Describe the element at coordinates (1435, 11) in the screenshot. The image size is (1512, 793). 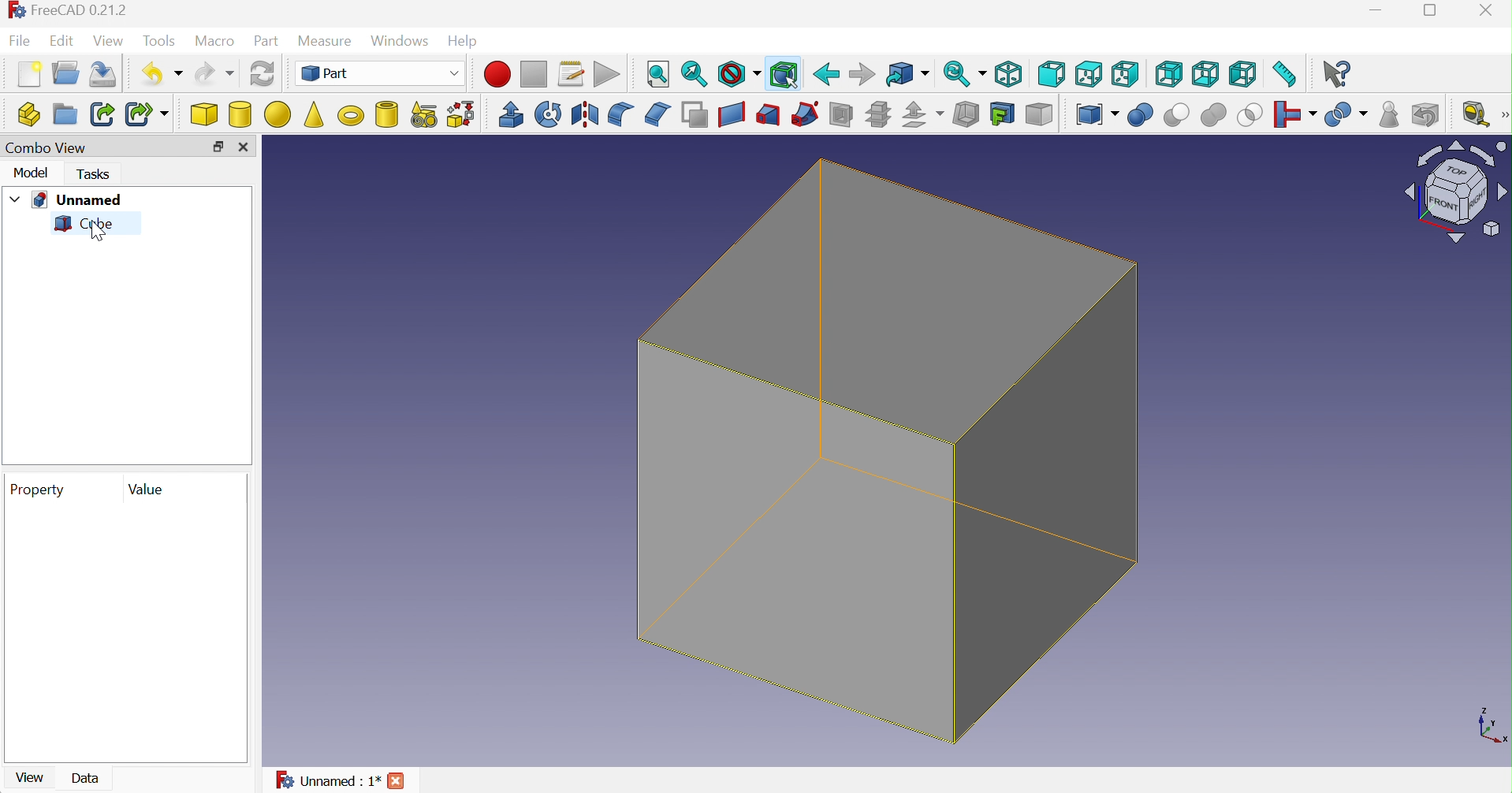
I see `Restore down` at that location.